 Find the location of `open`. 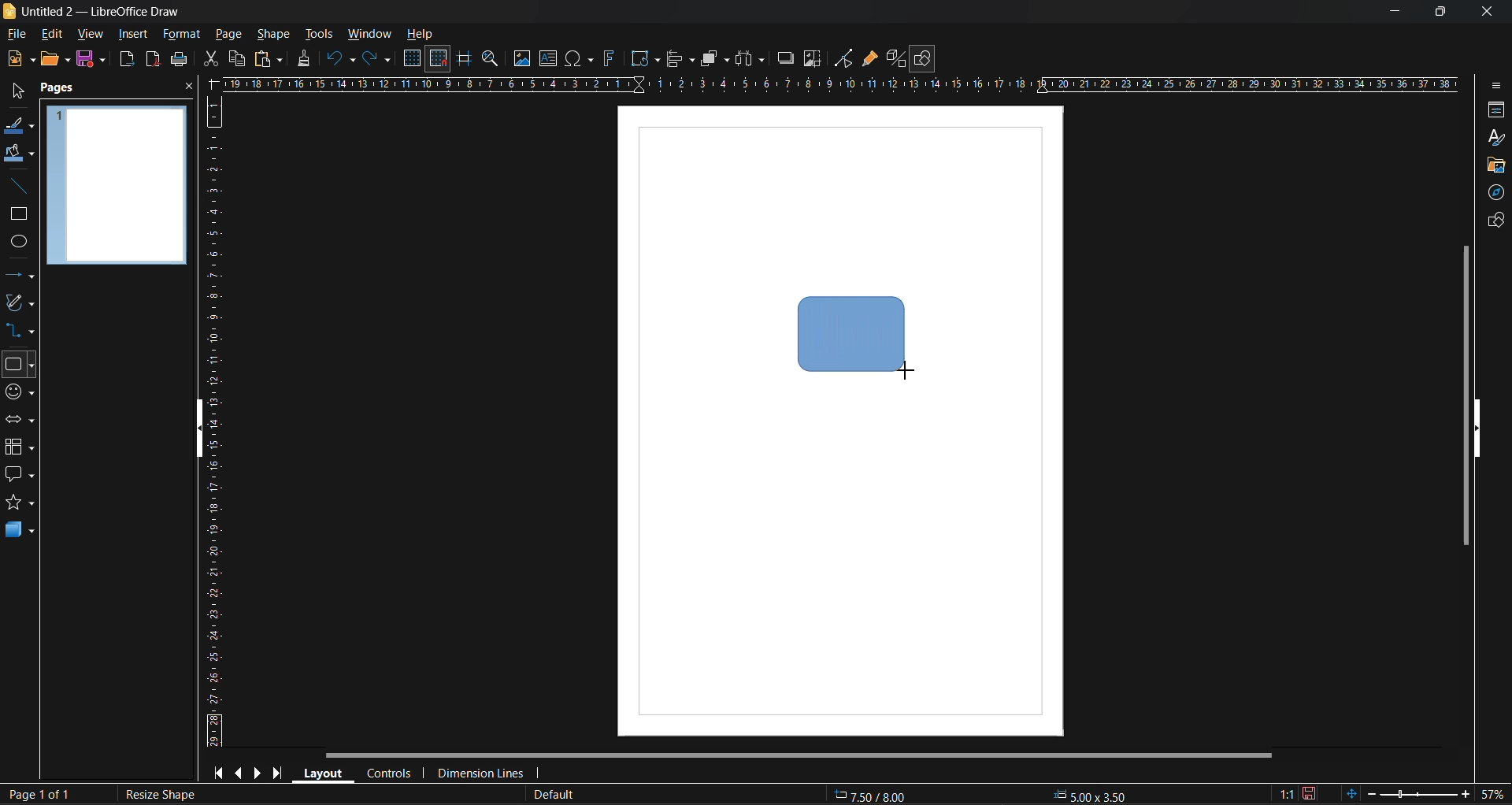

open is located at coordinates (55, 60).